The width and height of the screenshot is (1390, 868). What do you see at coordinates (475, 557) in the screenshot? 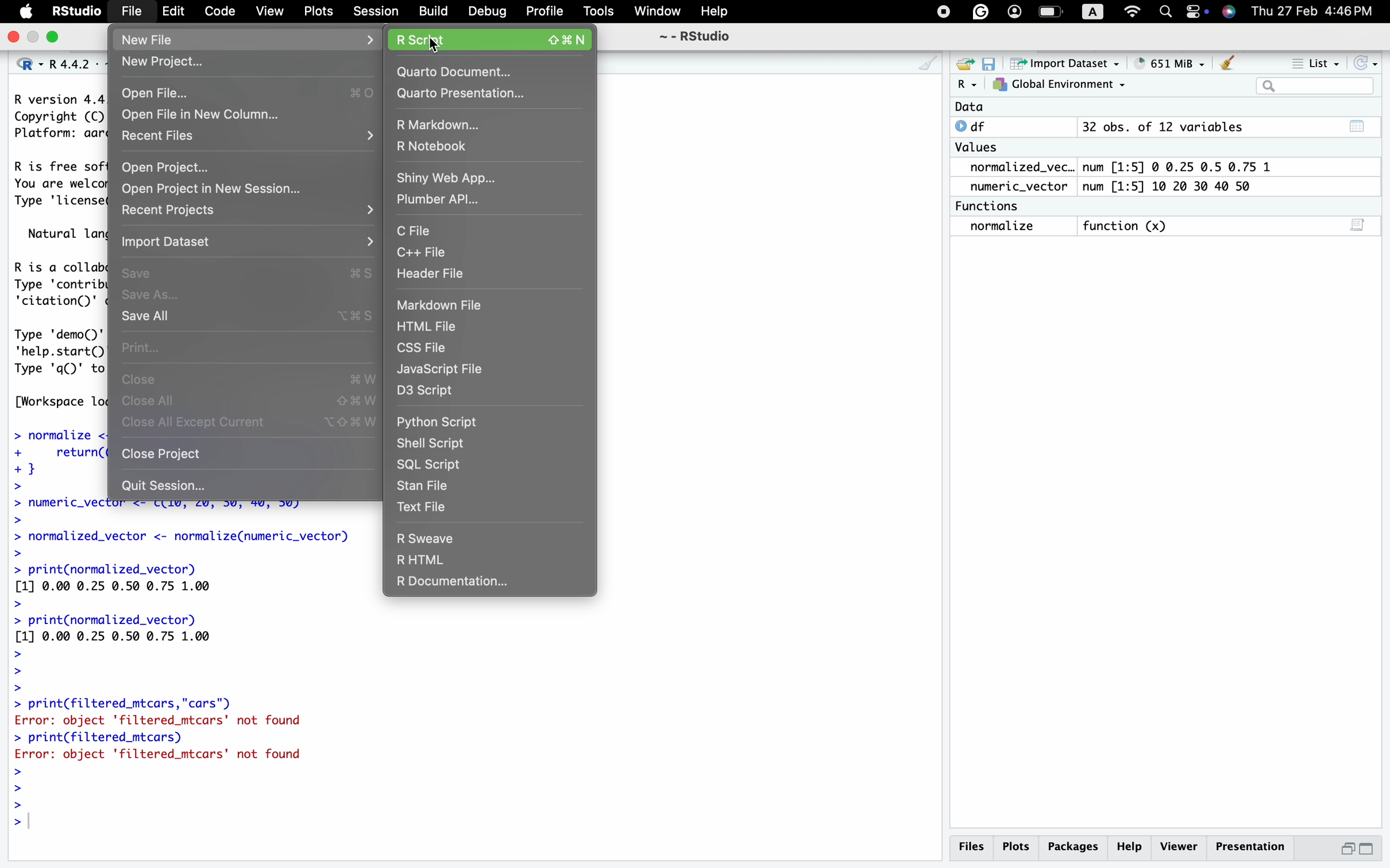
I see `RHTML` at bounding box center [475, 557].